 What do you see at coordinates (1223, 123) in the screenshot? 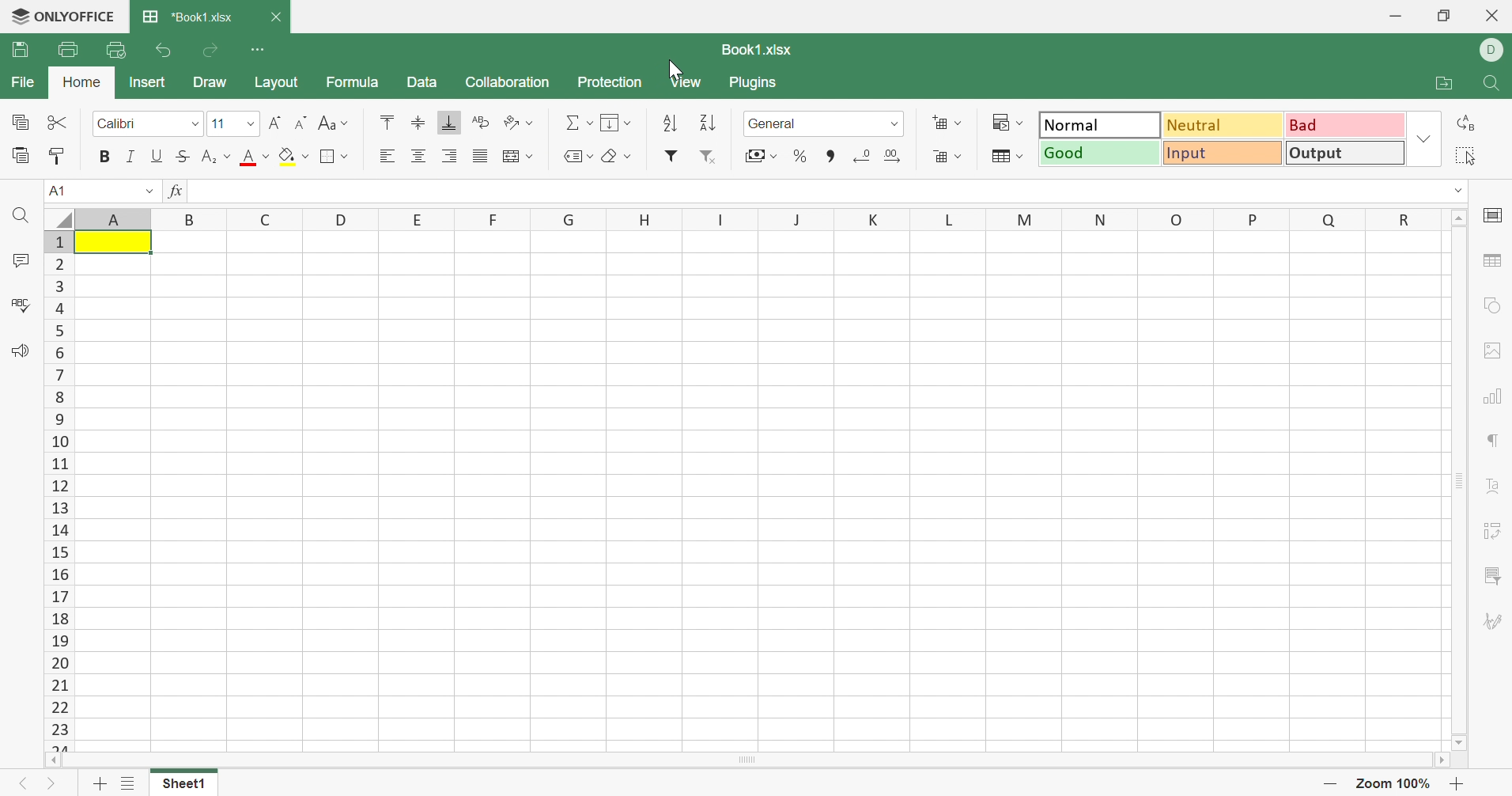
I see `Neutral` at bounding box center [1223, 123].